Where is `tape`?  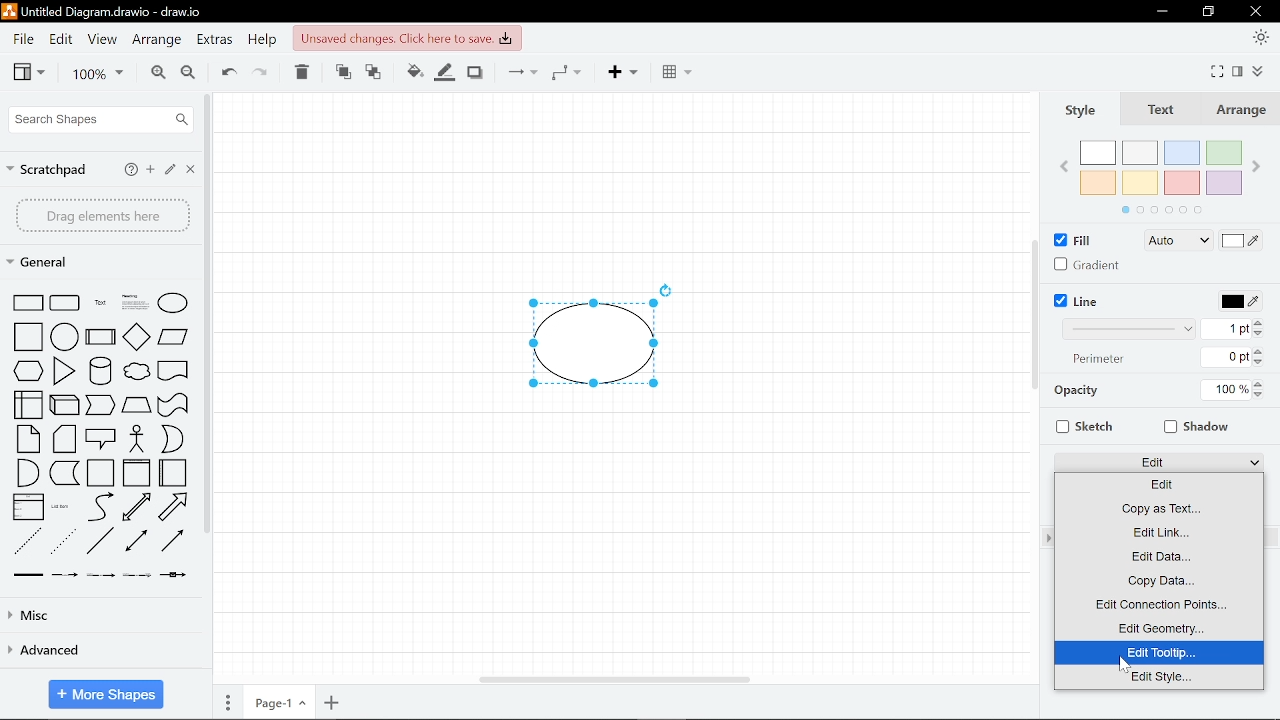 tape is located at coordinates (175, 405).